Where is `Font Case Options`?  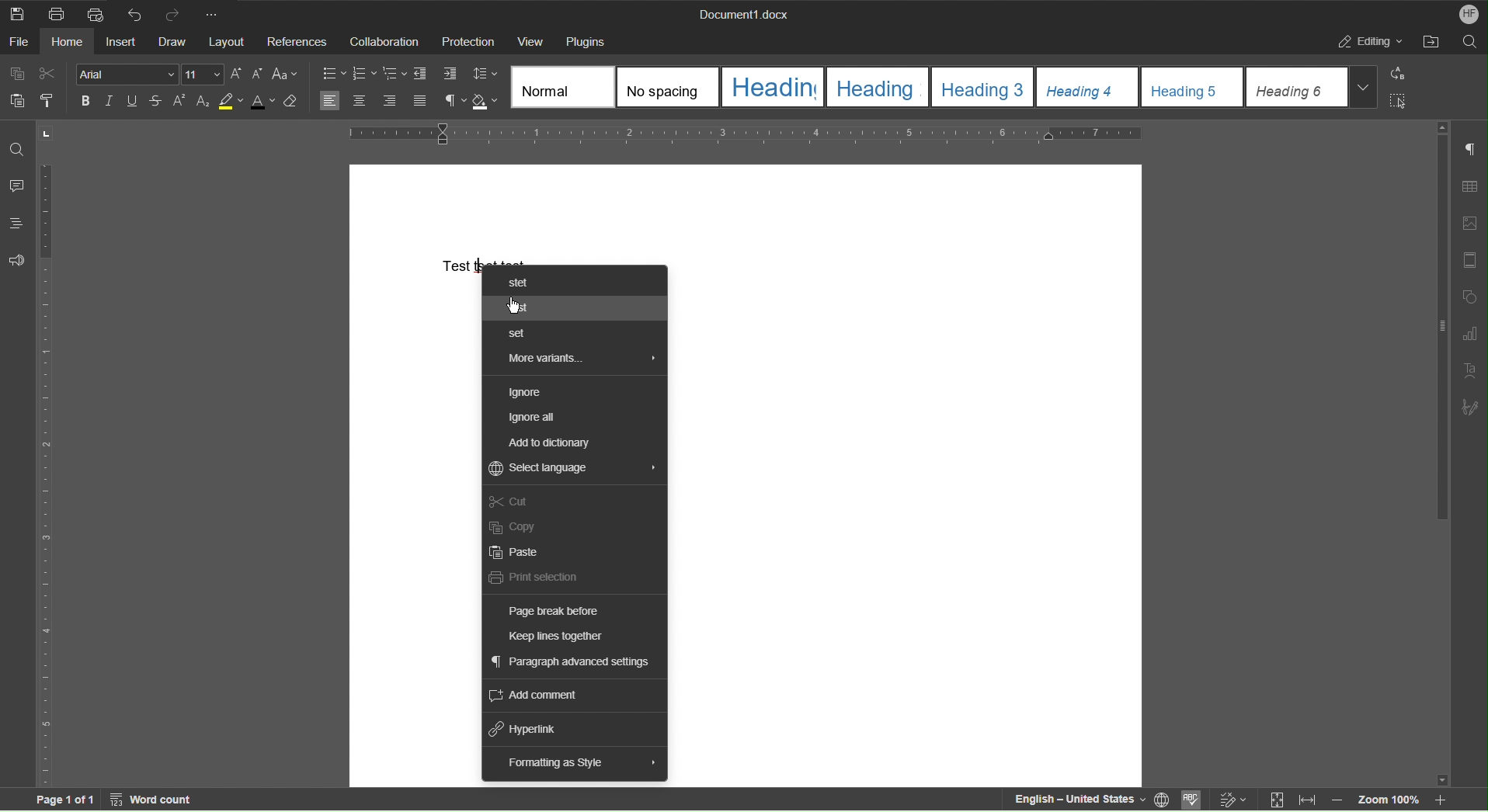
Font Case Options is located at coordinates (285, 75).